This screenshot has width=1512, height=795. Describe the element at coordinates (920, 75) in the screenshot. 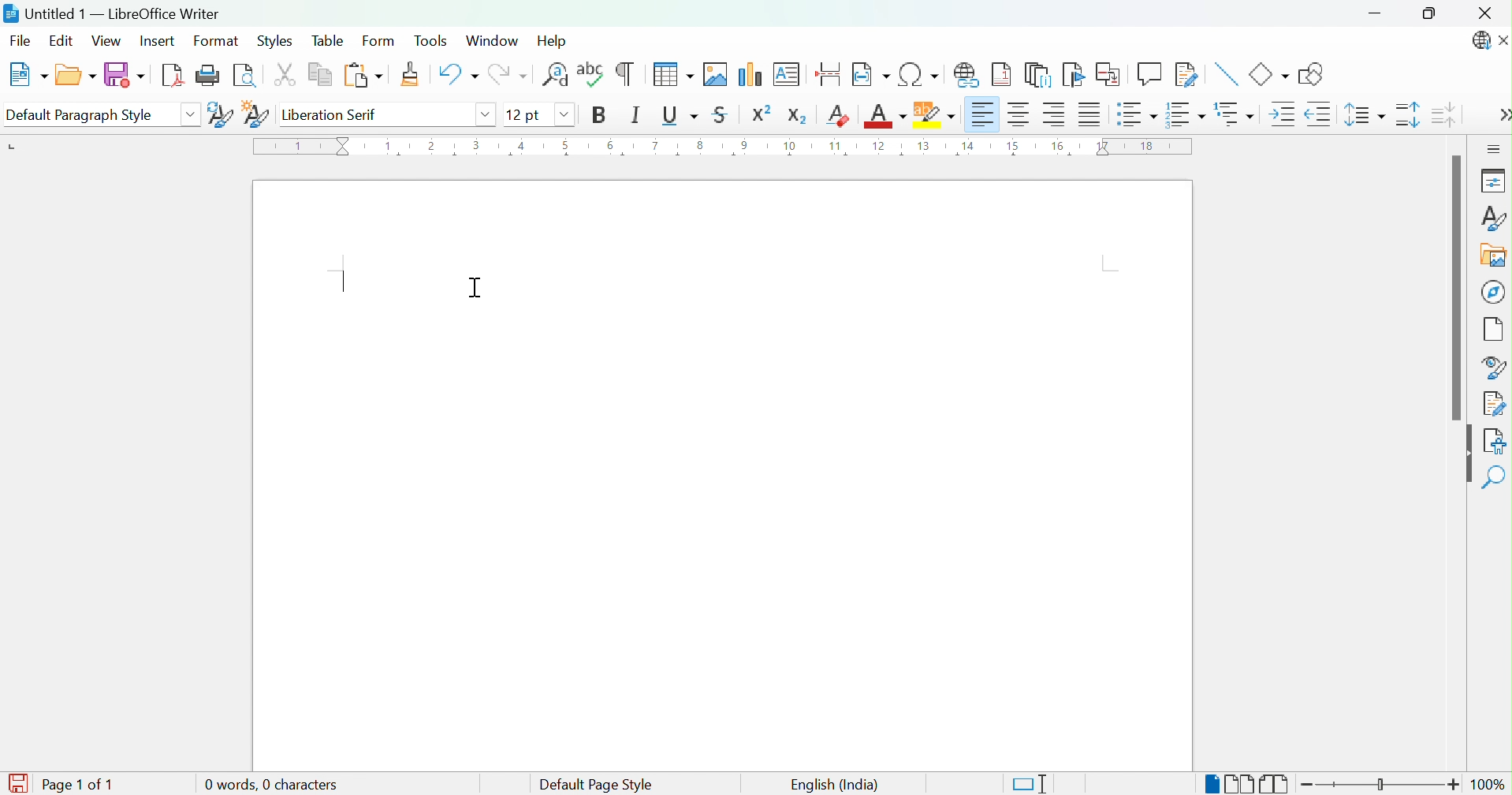

I see `Insert Special Characters` at that location.